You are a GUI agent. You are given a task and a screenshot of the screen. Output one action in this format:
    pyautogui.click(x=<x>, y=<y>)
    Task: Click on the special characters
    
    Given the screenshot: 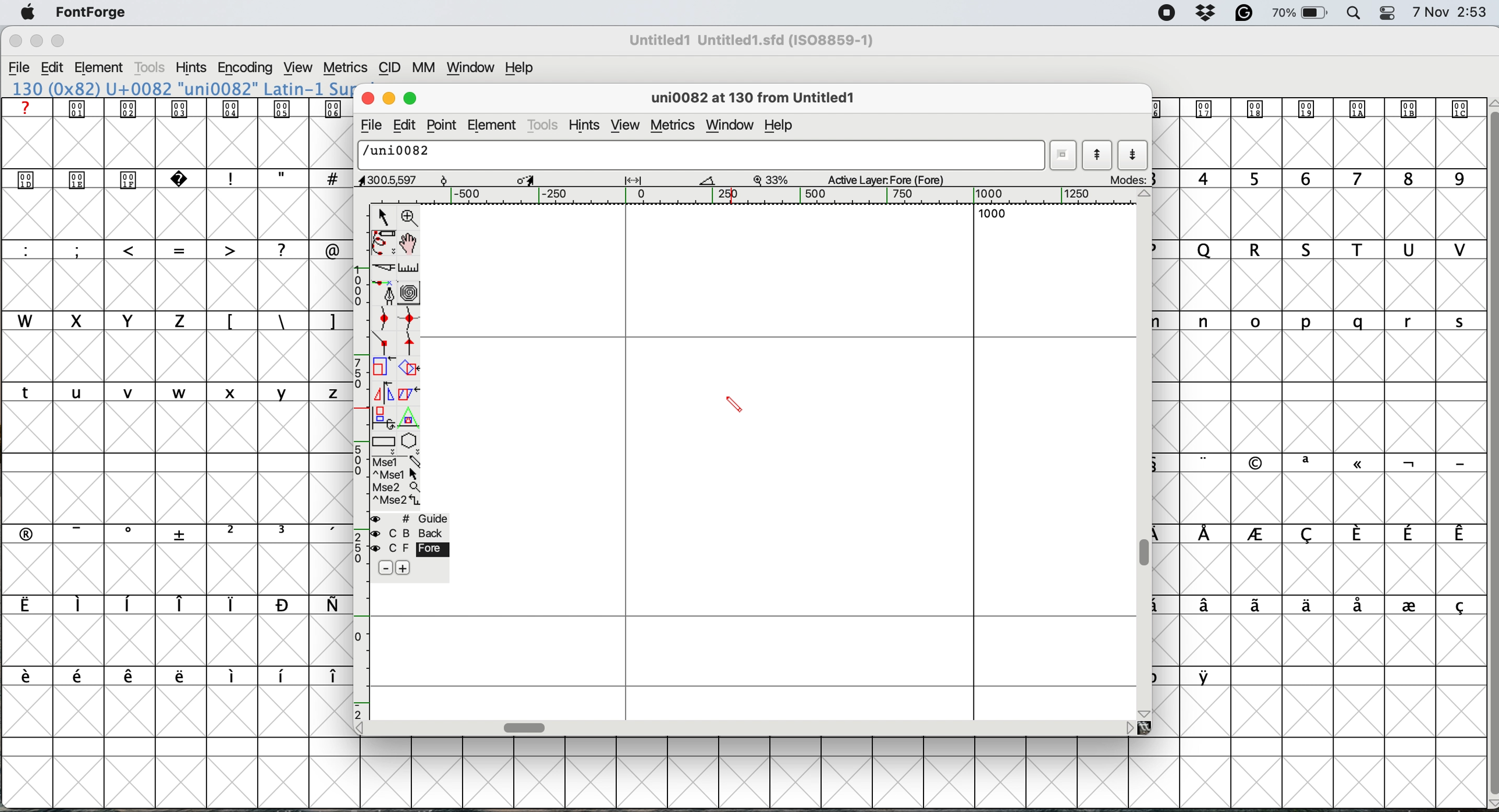 What is the action you would take?
    pyautogui.click(x=171, y=606)
    